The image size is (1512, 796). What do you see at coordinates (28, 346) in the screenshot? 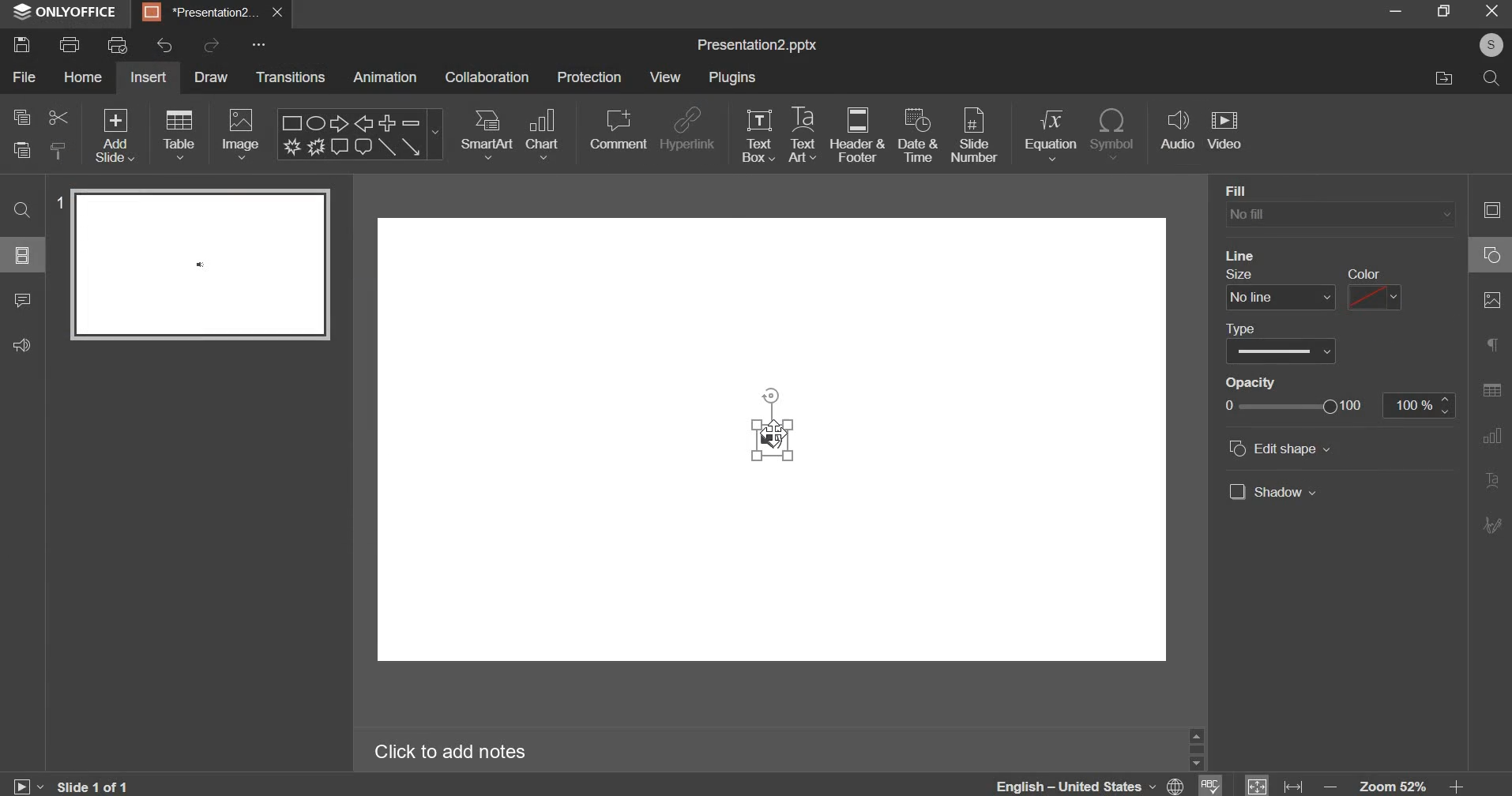
I see `feedback` at bounding box center [28, 346].